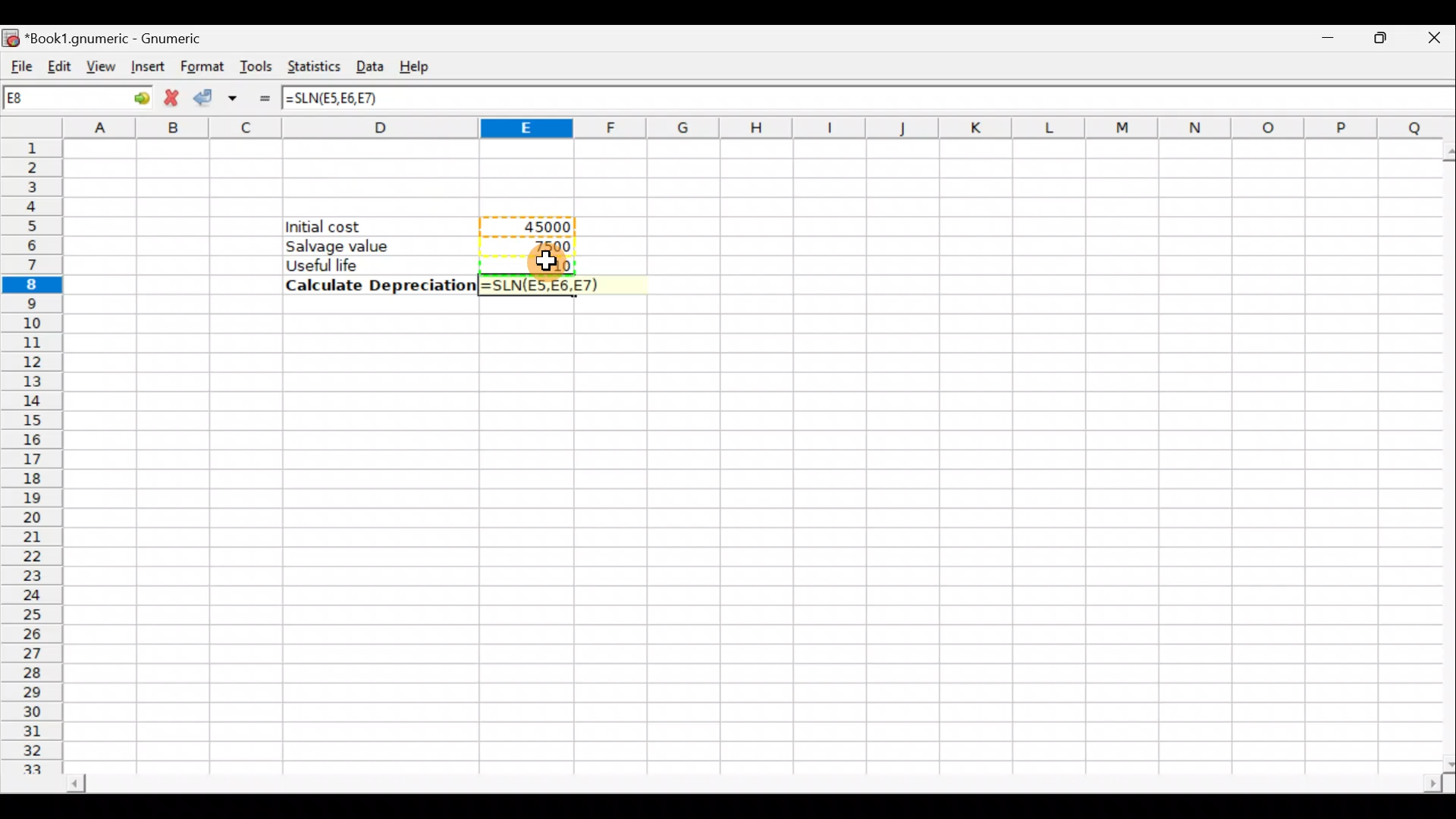 This screenshot has height=819, width=1456. Describe the element at coordinates (1325, 42) in the screenshot. I see `Minimize` at that location.